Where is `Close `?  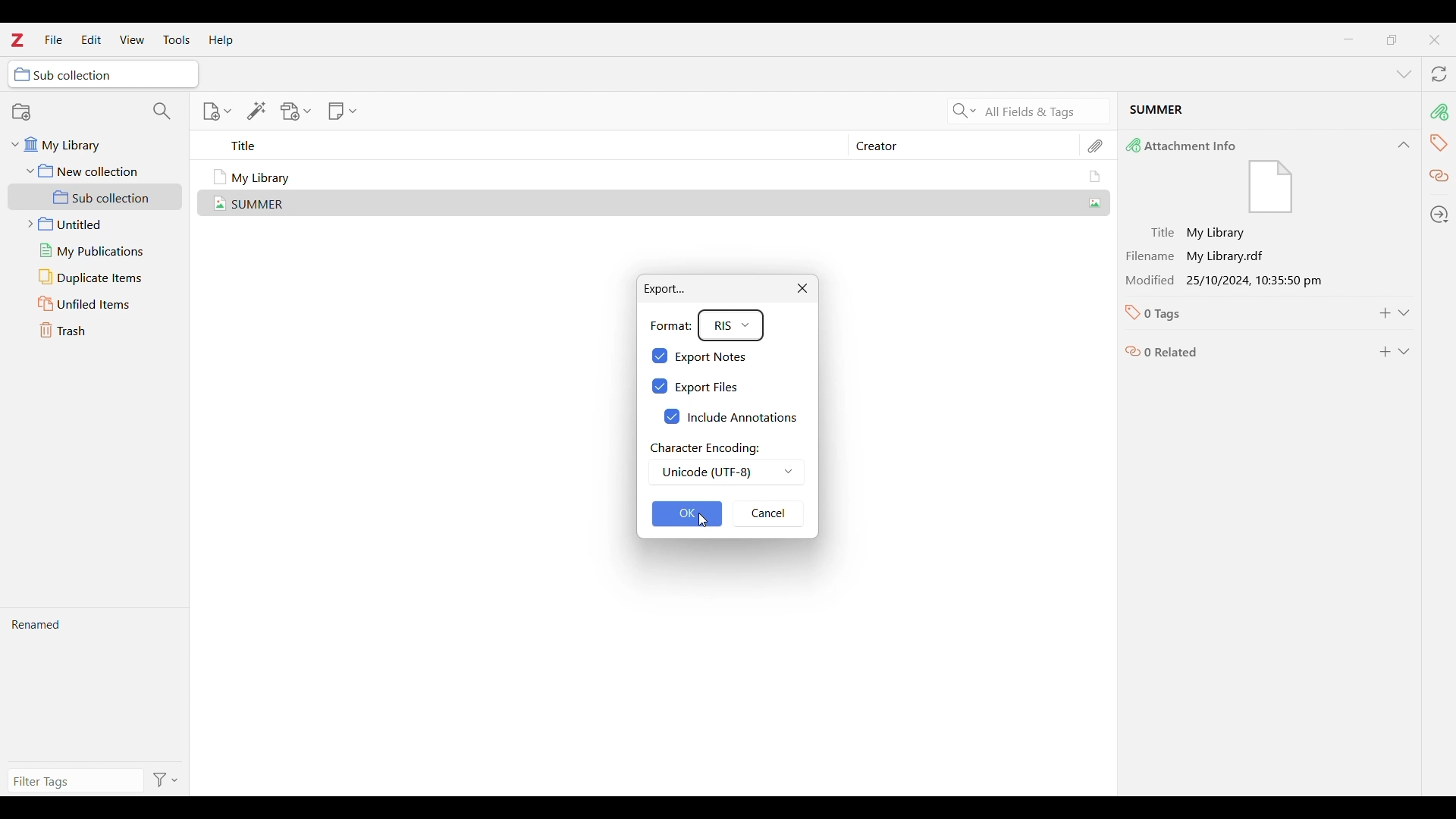
Close  is located at coordinates (1435, 40).